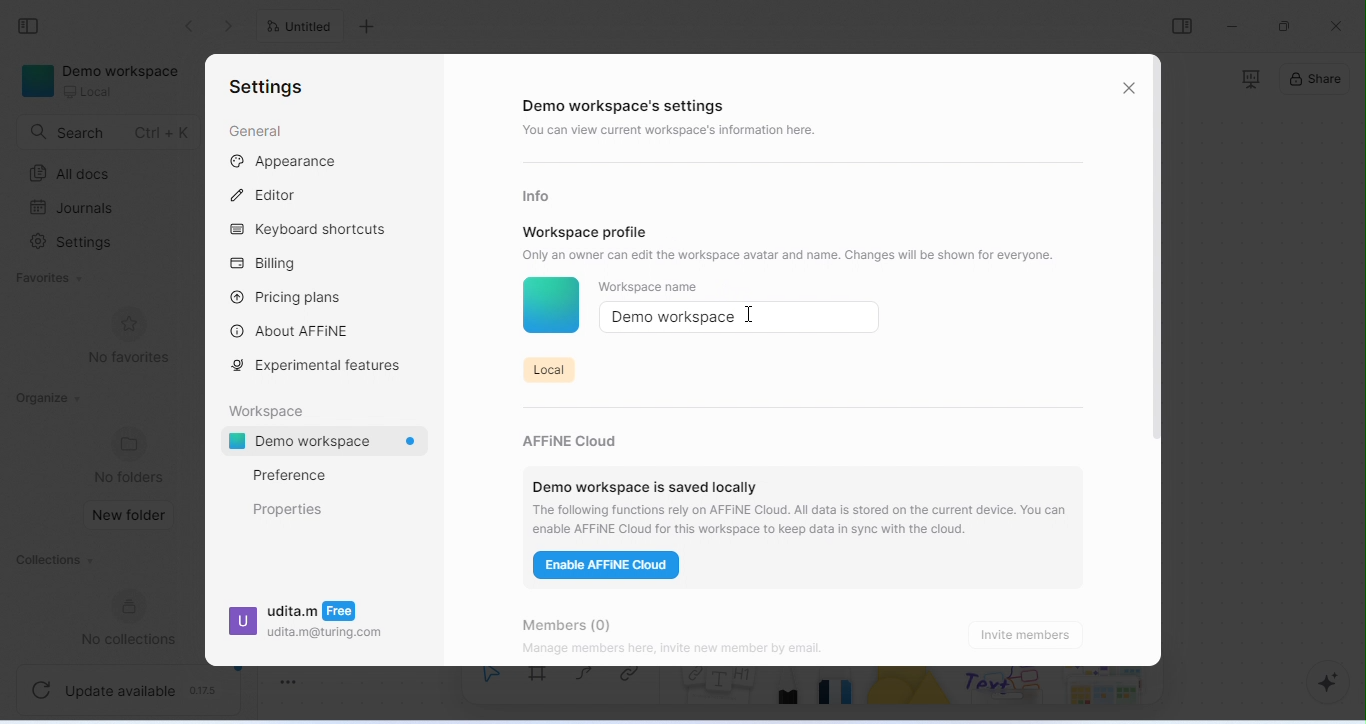  I want to click on settings, so click(75, 244).